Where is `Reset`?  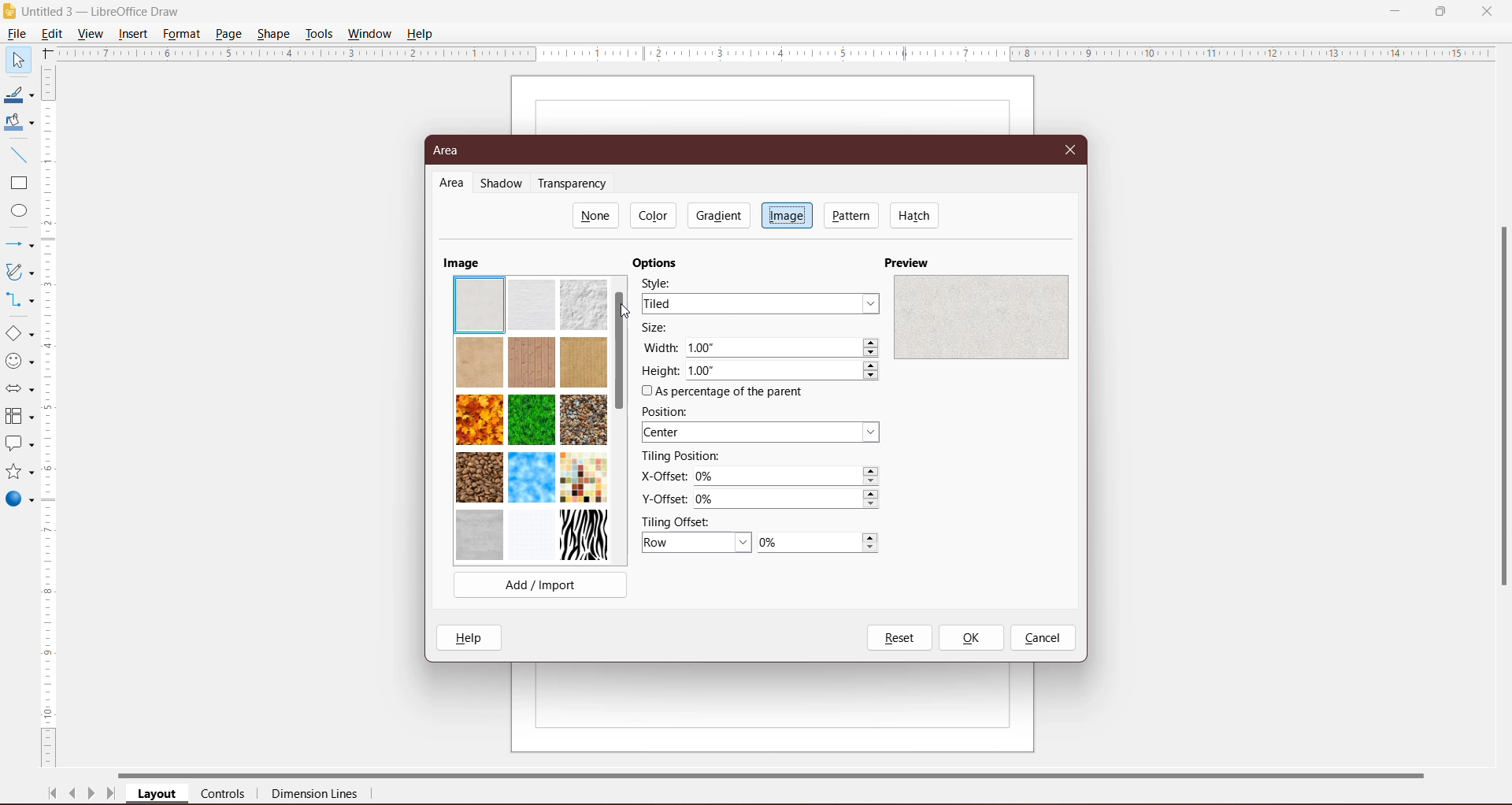
Reset is located at coordinates (899, 638).